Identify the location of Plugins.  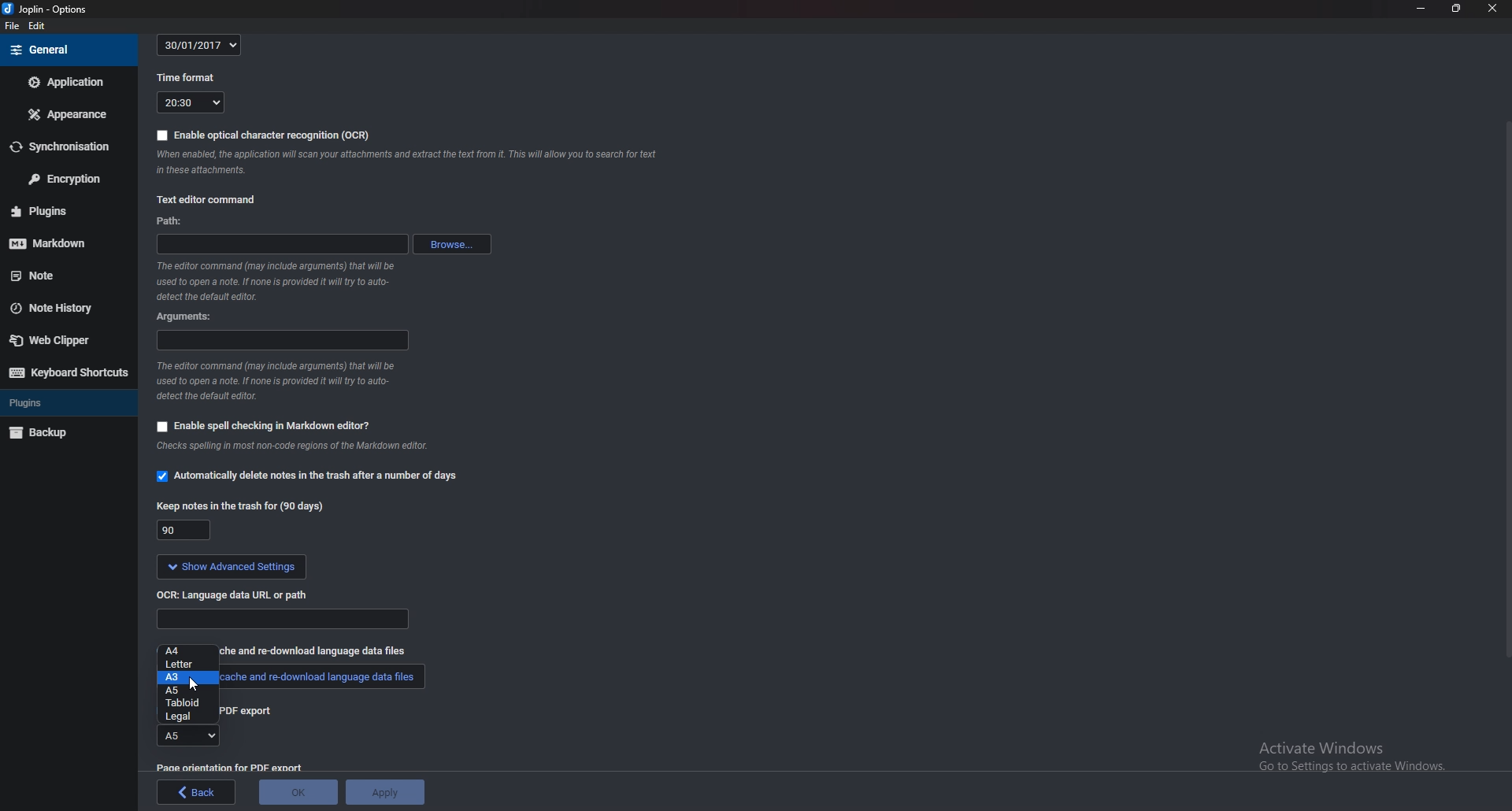
(55, 212).